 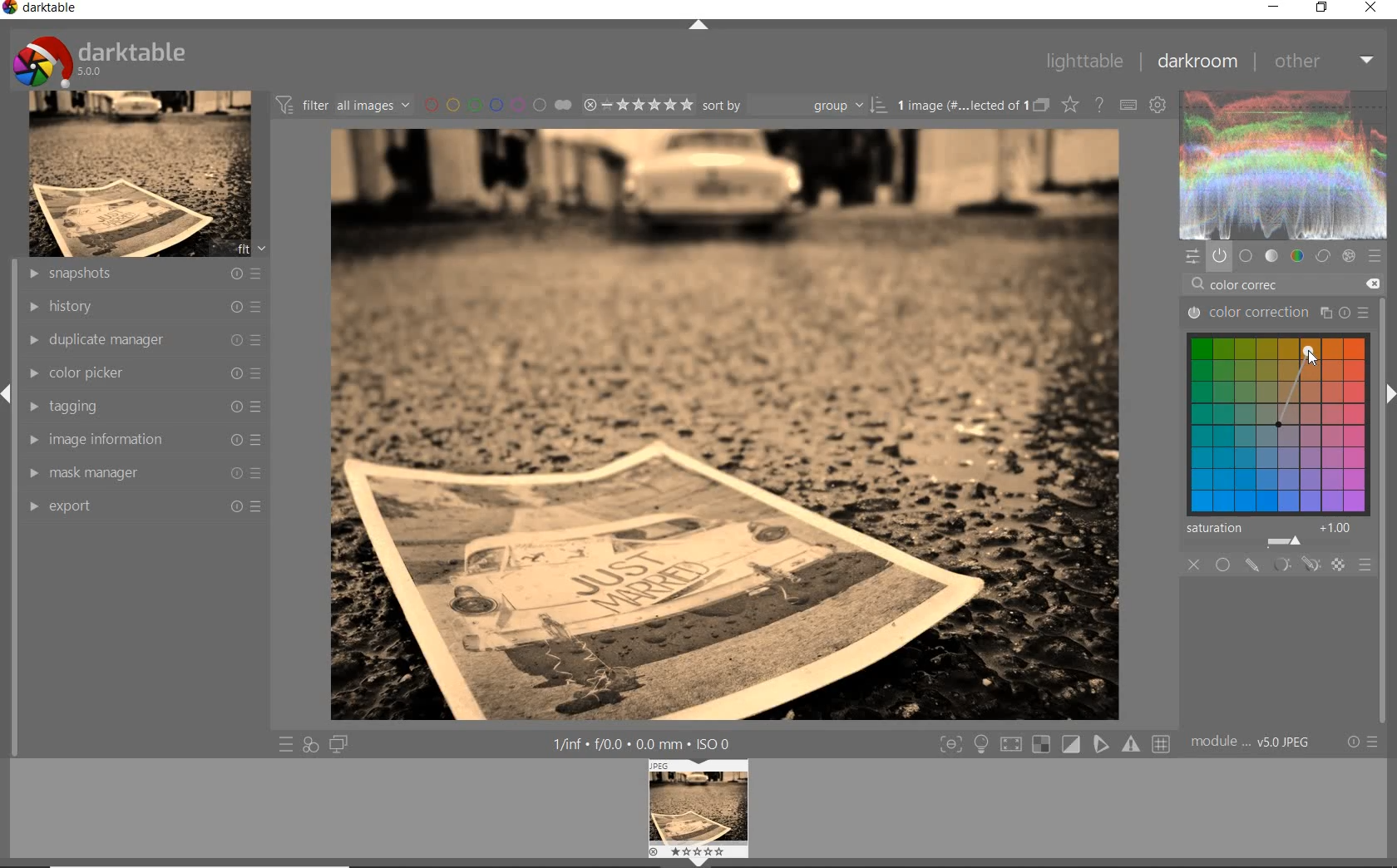 What do you see at coordinates (1278, 314) in the screenshot?
I see `color correction` at bounding box center [1278, 314].